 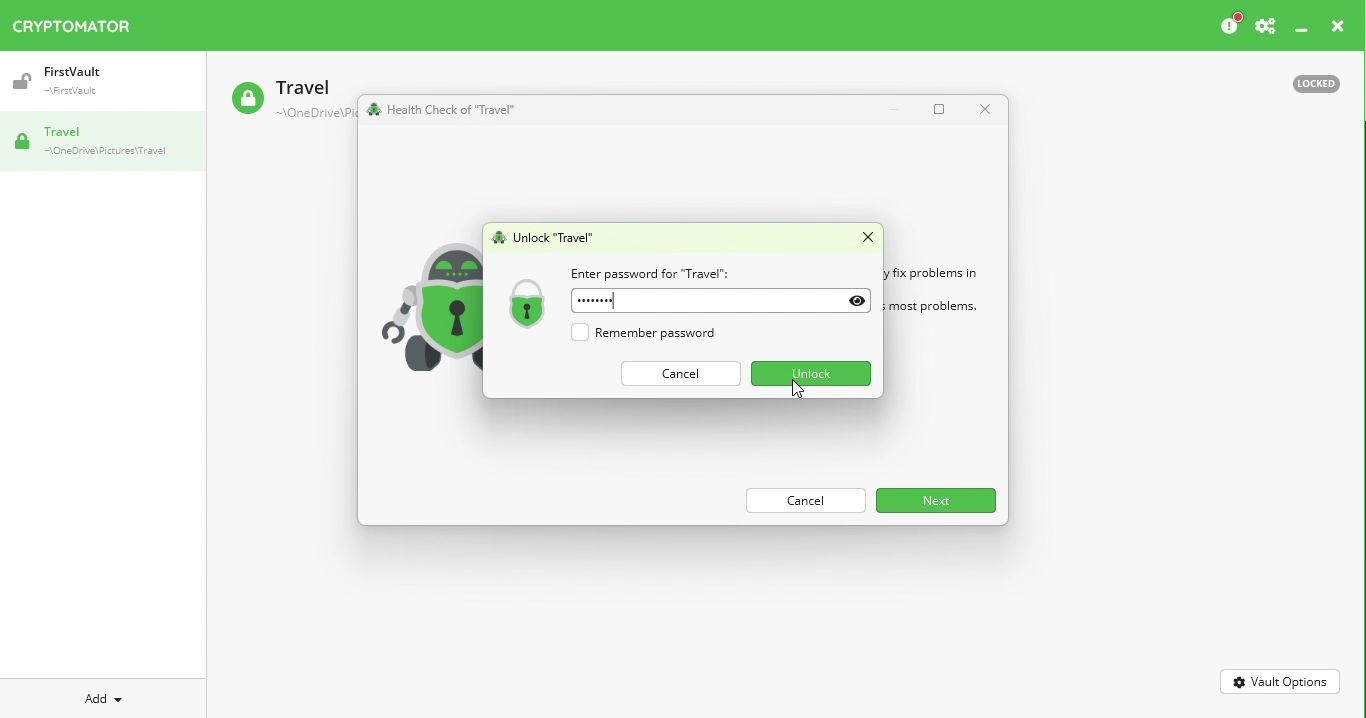 I want to click on Please consider donating, so click(x=1226, y=25).